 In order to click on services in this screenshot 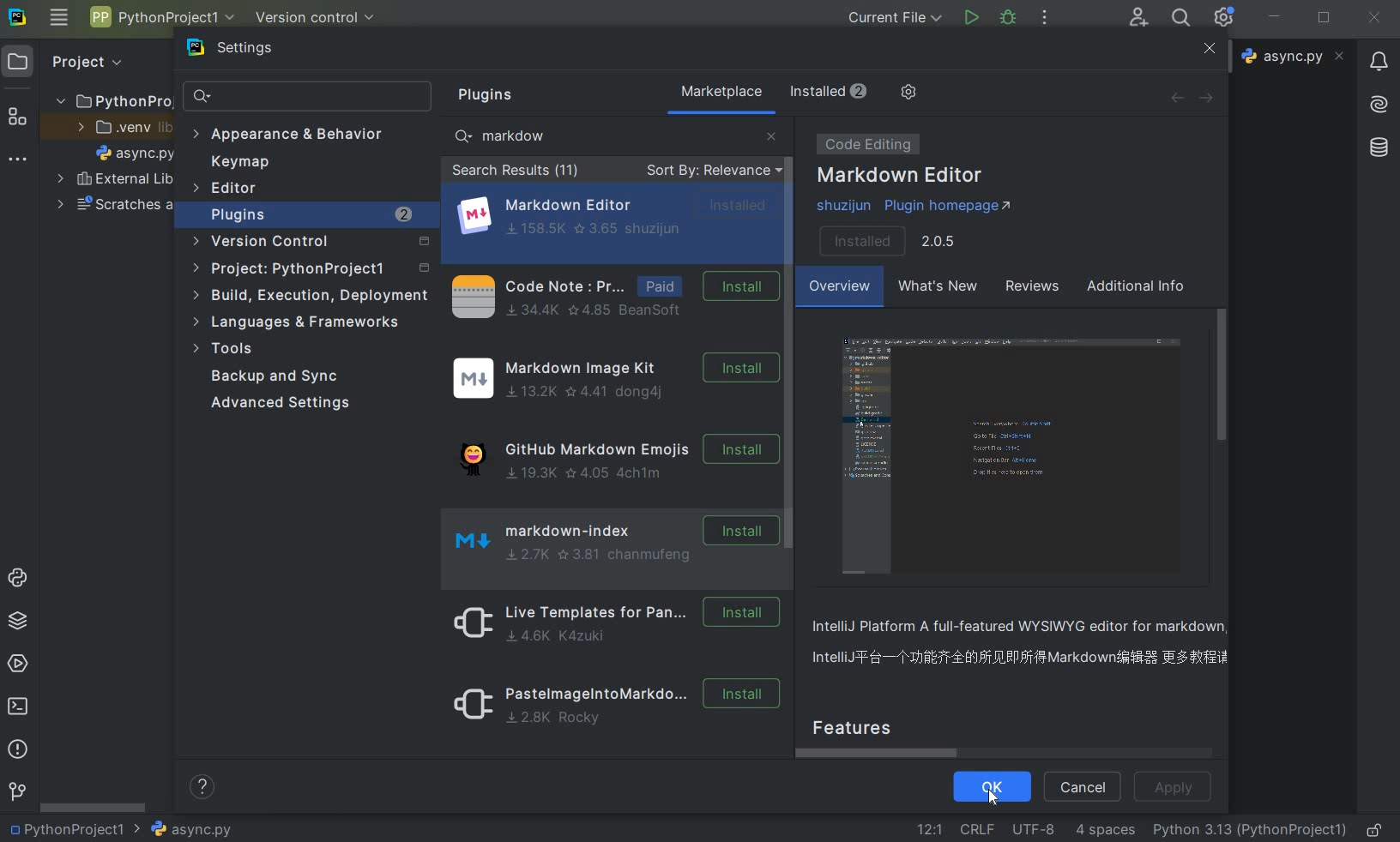, I will do `click(17, 663)`.